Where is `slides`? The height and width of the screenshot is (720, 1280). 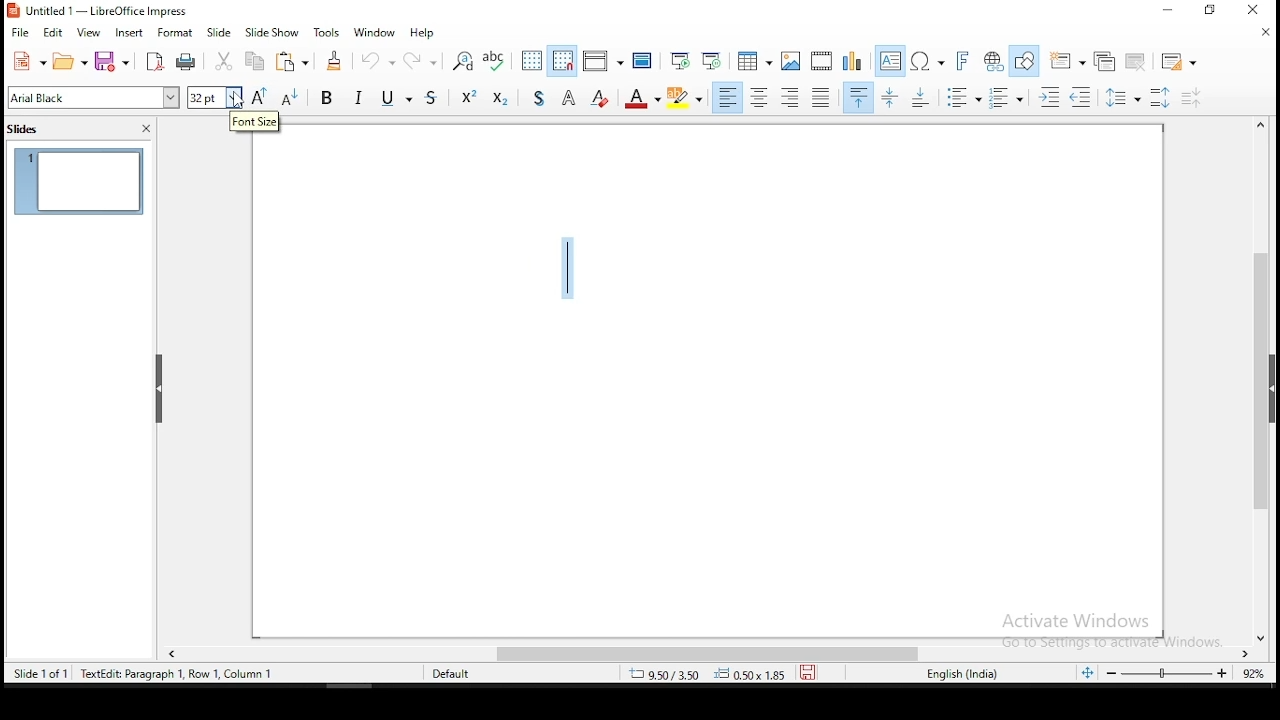 slides is located at coordinates (26, 131).